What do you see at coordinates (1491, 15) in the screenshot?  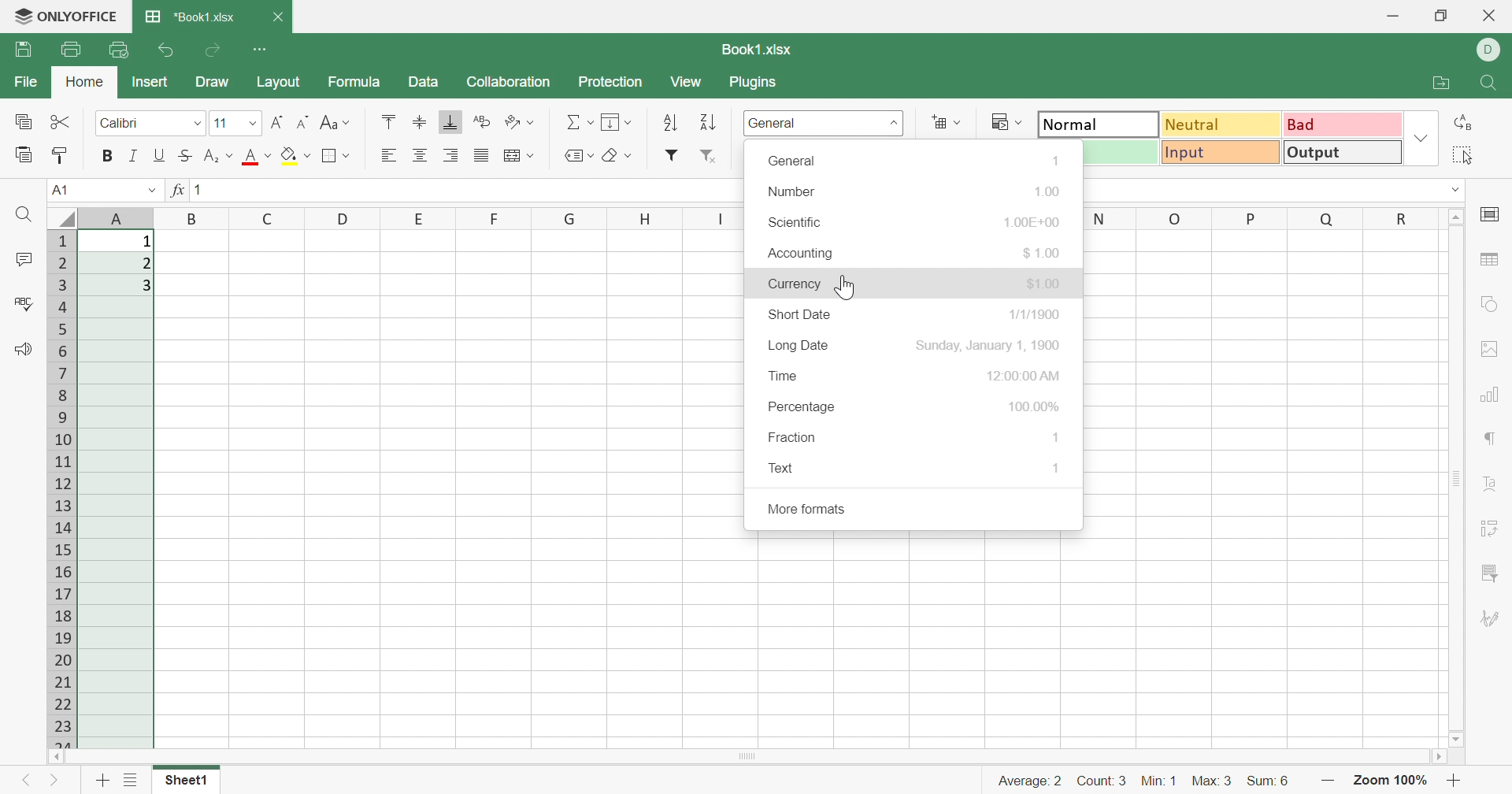 I see `Close` at bounding box center [1491, 15].